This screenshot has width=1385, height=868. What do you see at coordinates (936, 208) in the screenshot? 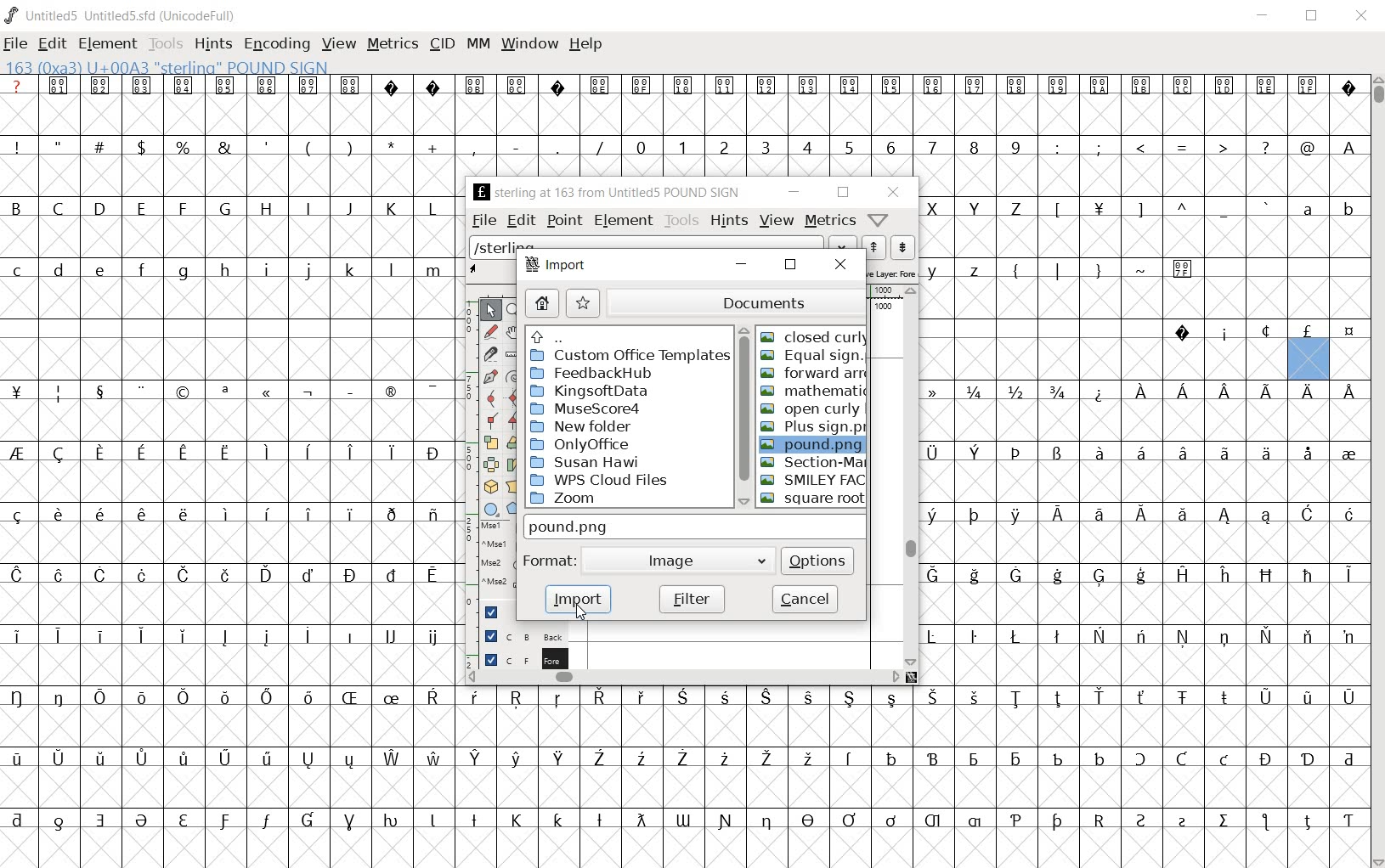
I see `X` at bounding box center [936, 208].